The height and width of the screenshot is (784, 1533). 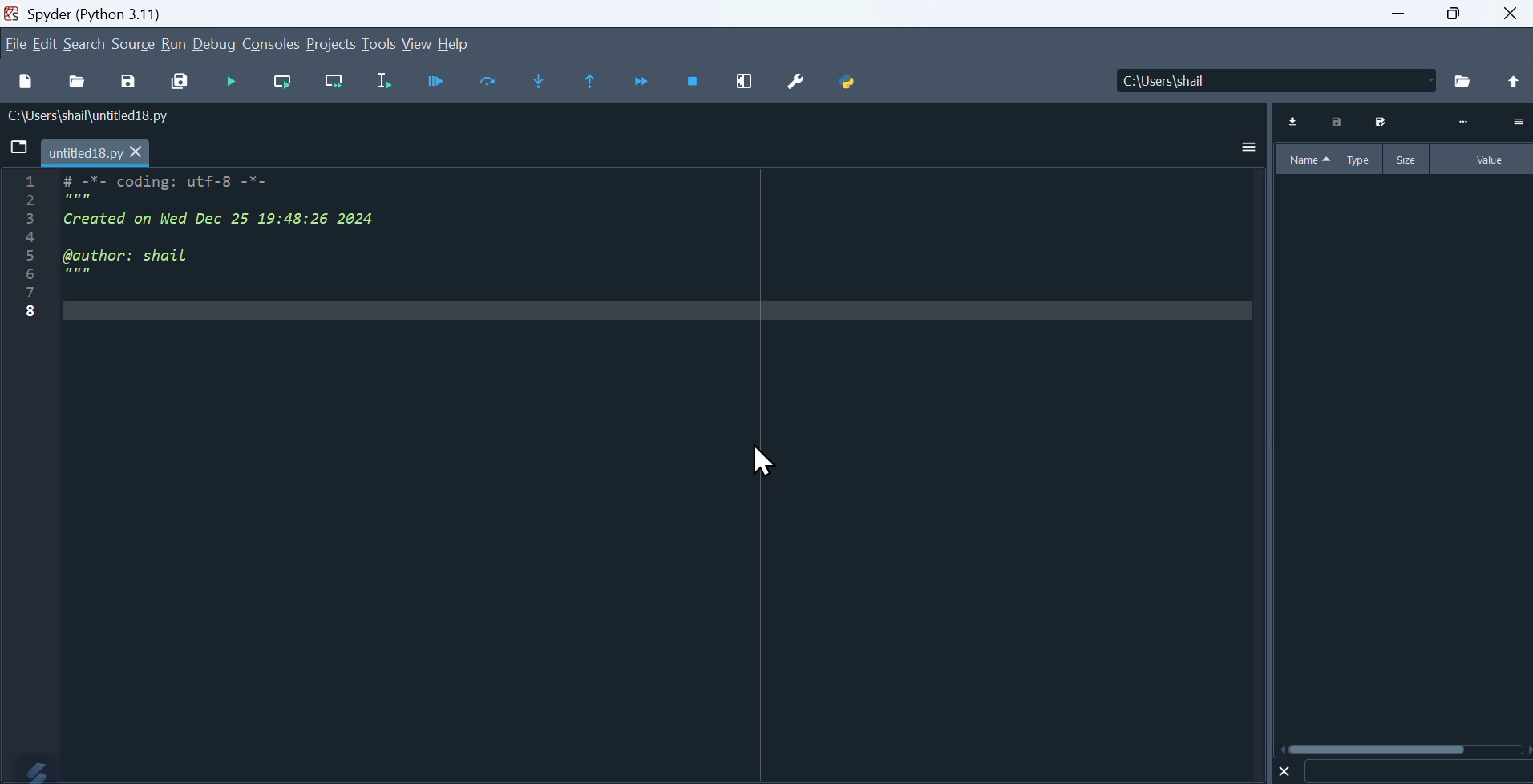 What do you see at coordinates (1395, 14) in the screenshot?
I see `minimize` at bounding box center [1395, 14].